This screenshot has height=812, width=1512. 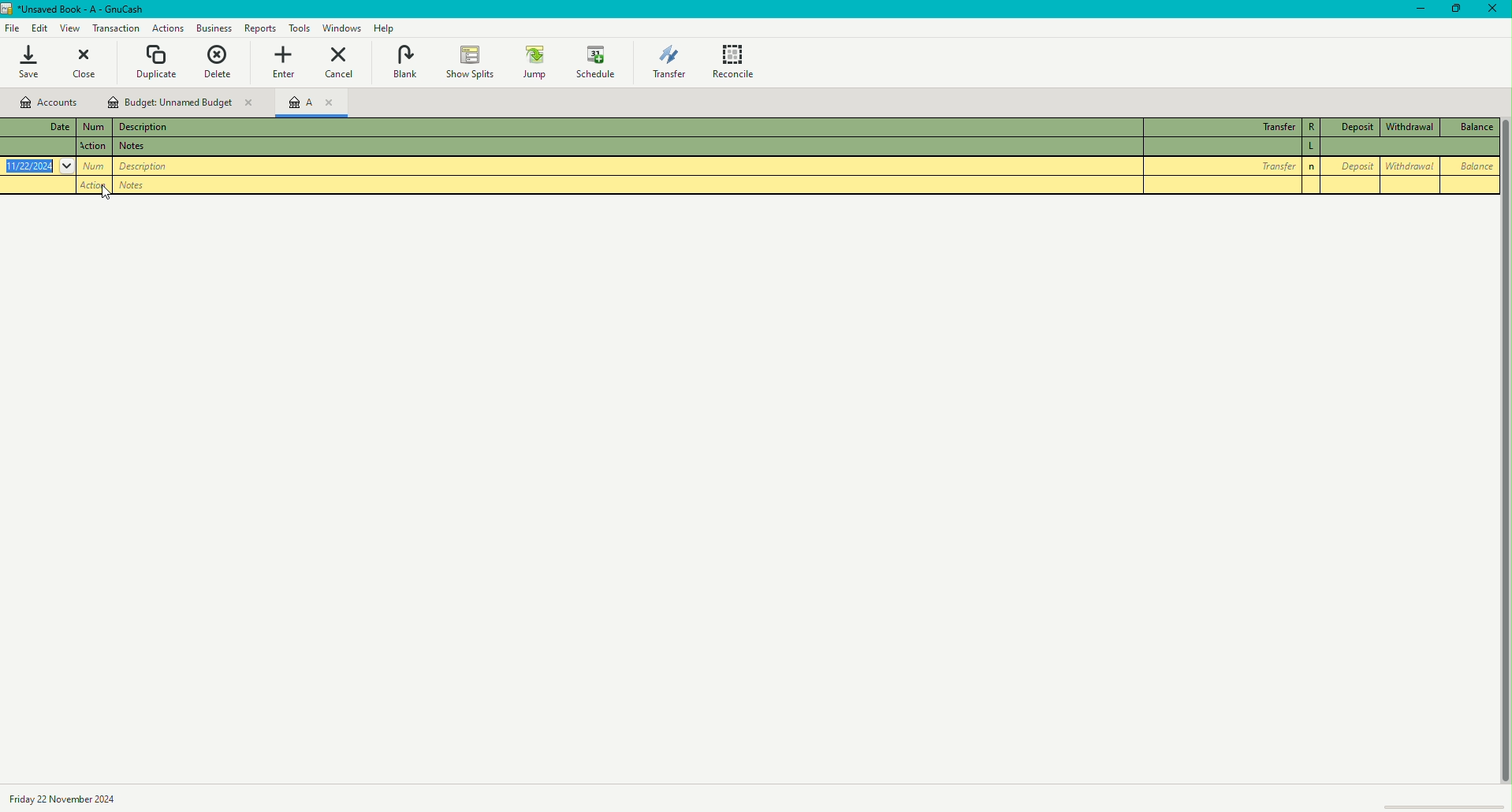 What do you see at coordinates (288, 63) in the screenshot?
I see `Enter` at bounding box center [288, 63].